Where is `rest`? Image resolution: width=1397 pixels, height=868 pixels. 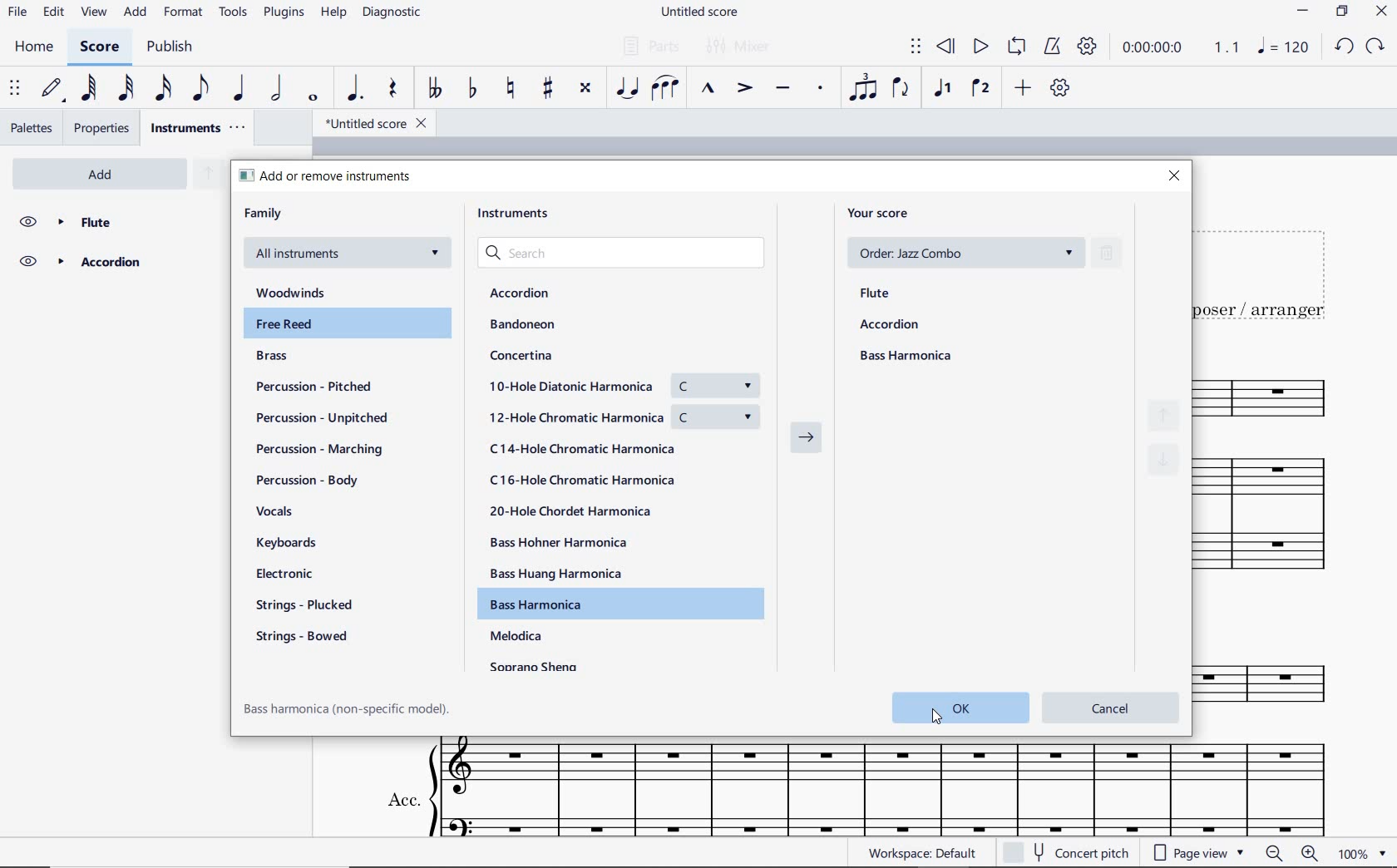 rest is located at coordinates (392, 89).